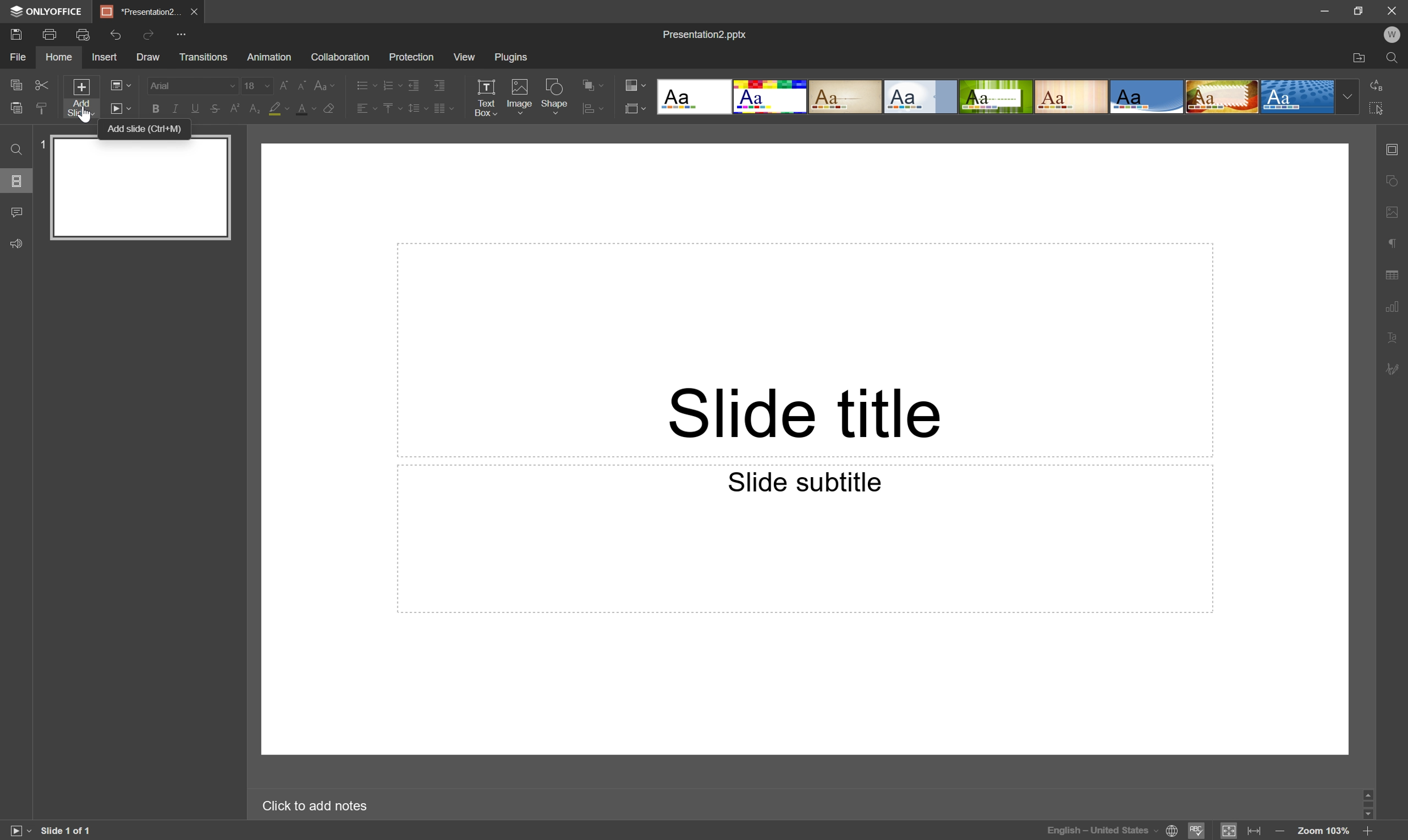 The height and width of the screenshot is (840, 1408). I want to click on Table settings, so click(1397, 273).